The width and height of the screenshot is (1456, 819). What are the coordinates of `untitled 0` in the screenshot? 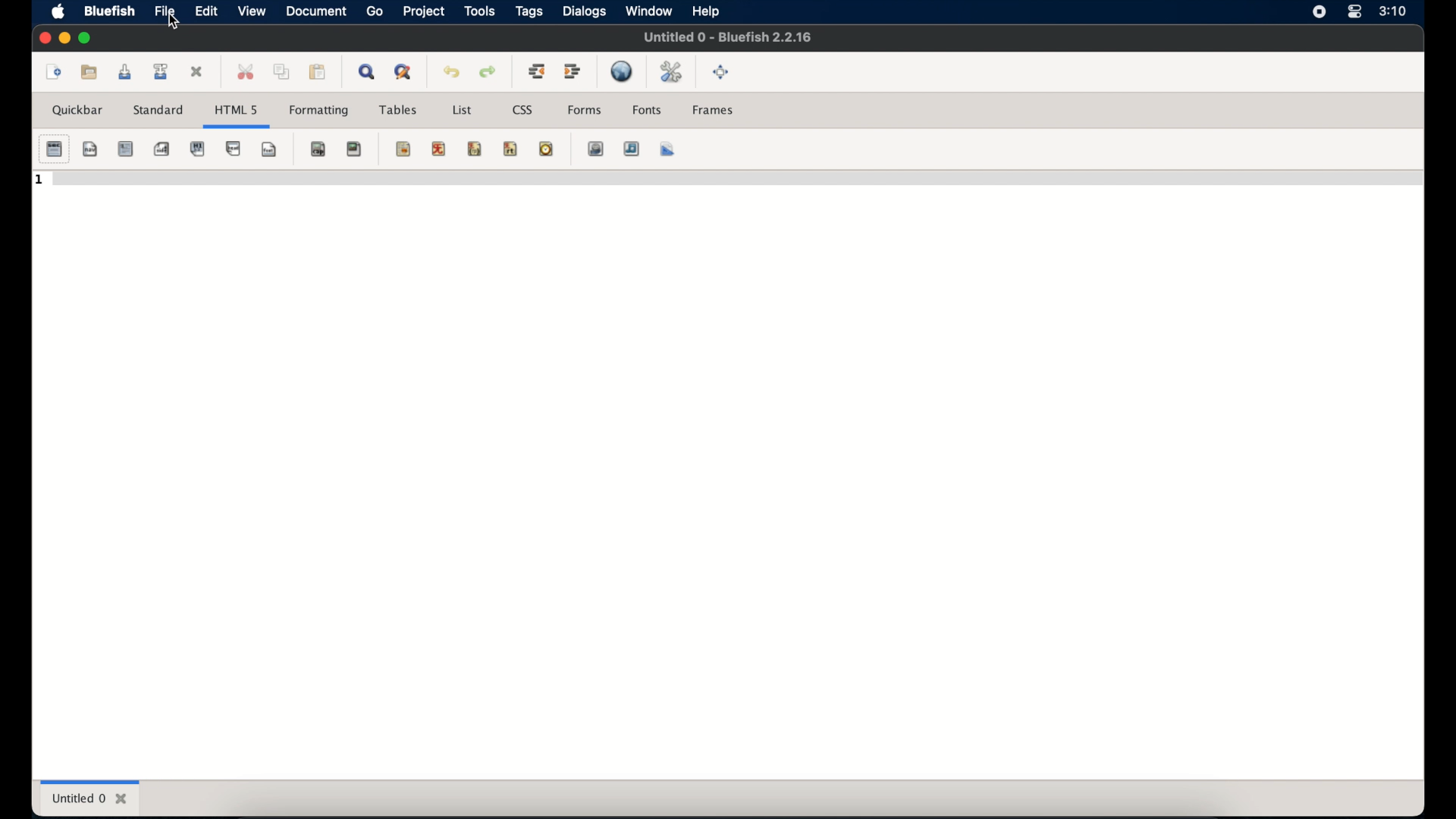 It's located at (90, 798).